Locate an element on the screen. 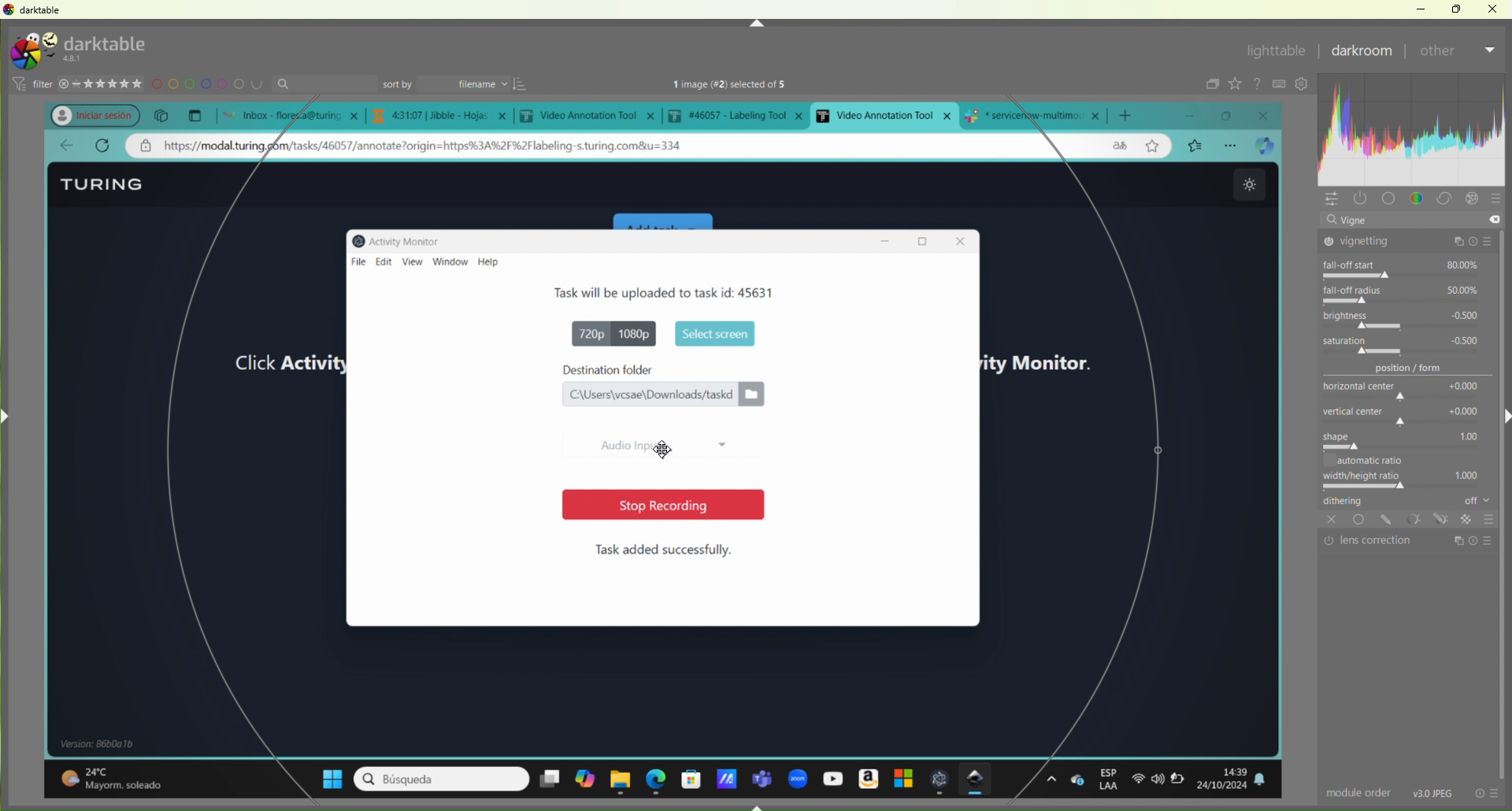 The height and width of the screenshot is (811, 1512). Task details is located at coordinates (619, 292).